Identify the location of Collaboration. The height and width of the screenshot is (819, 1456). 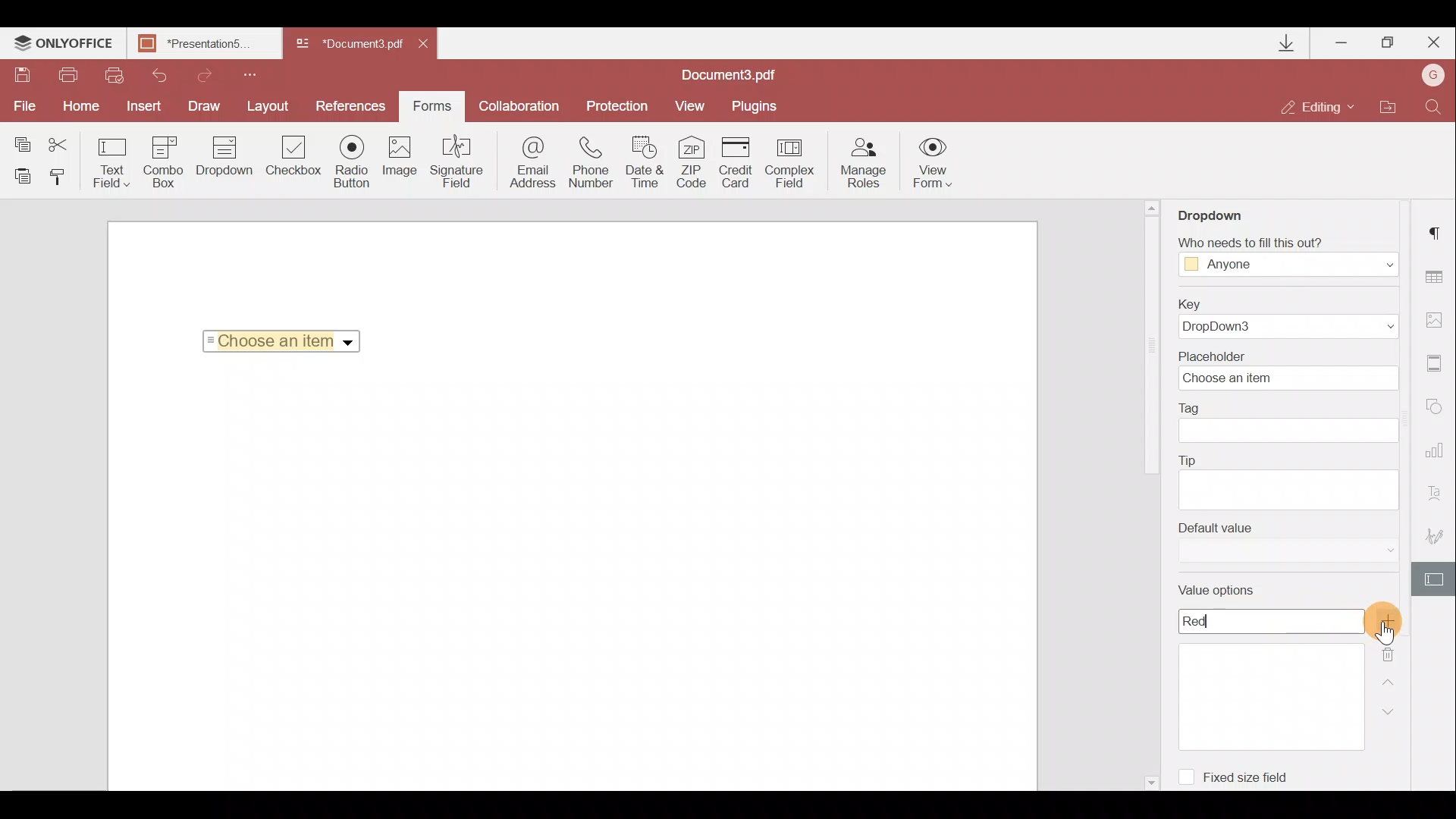
(519, 104).